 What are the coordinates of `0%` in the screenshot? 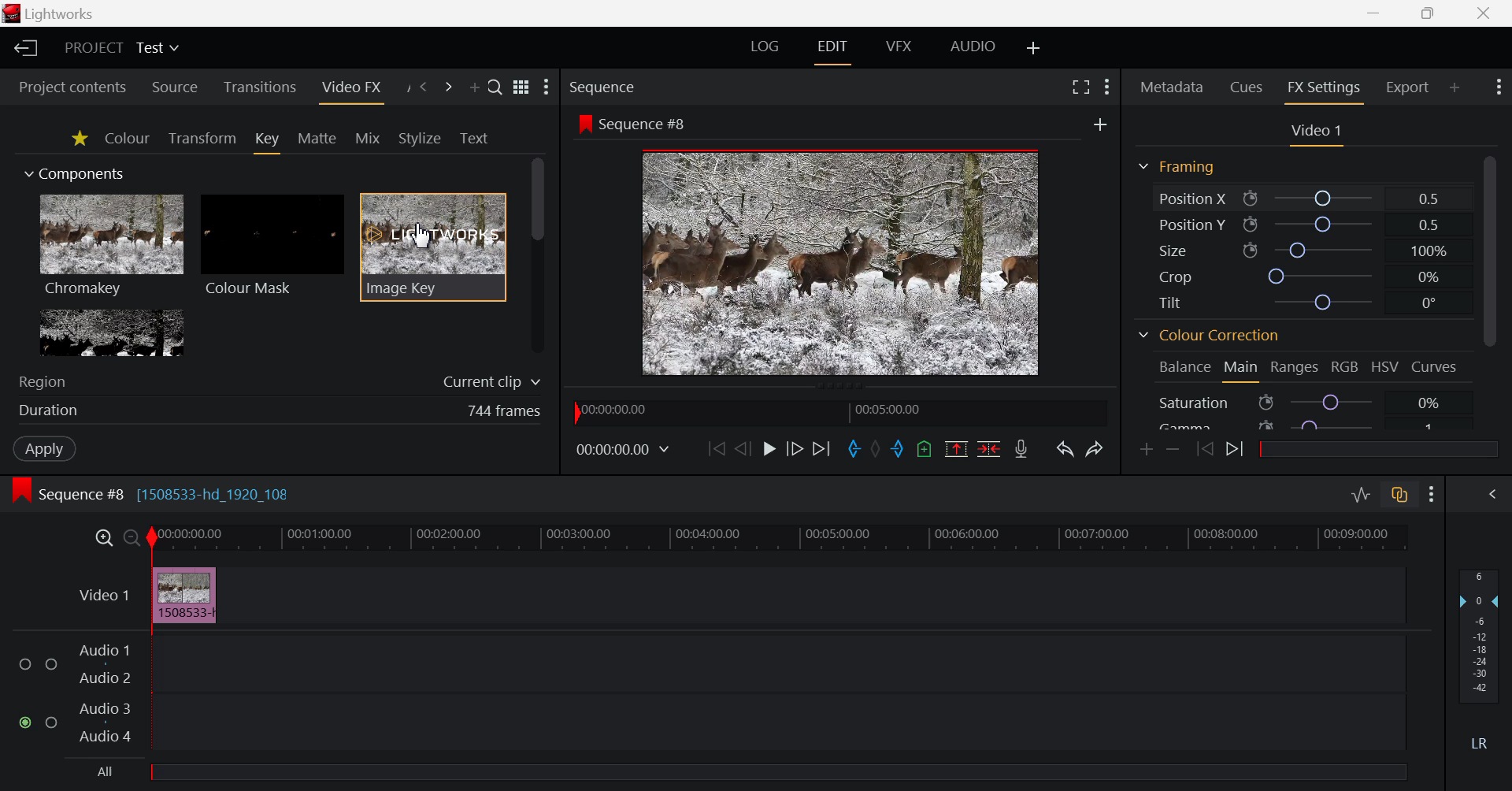 It's located at (1432, 404).